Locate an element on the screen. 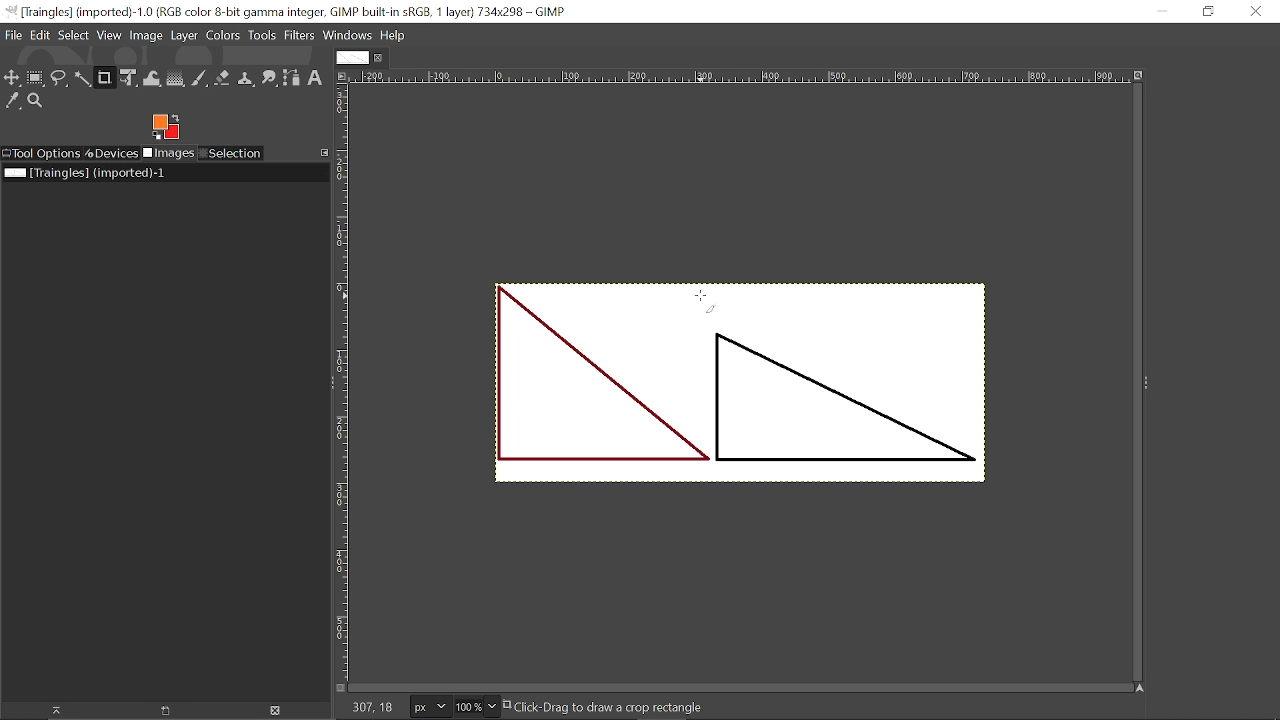 This screenshot has height=720, width=1280. Crop tool is located at coordinates (105, 79).